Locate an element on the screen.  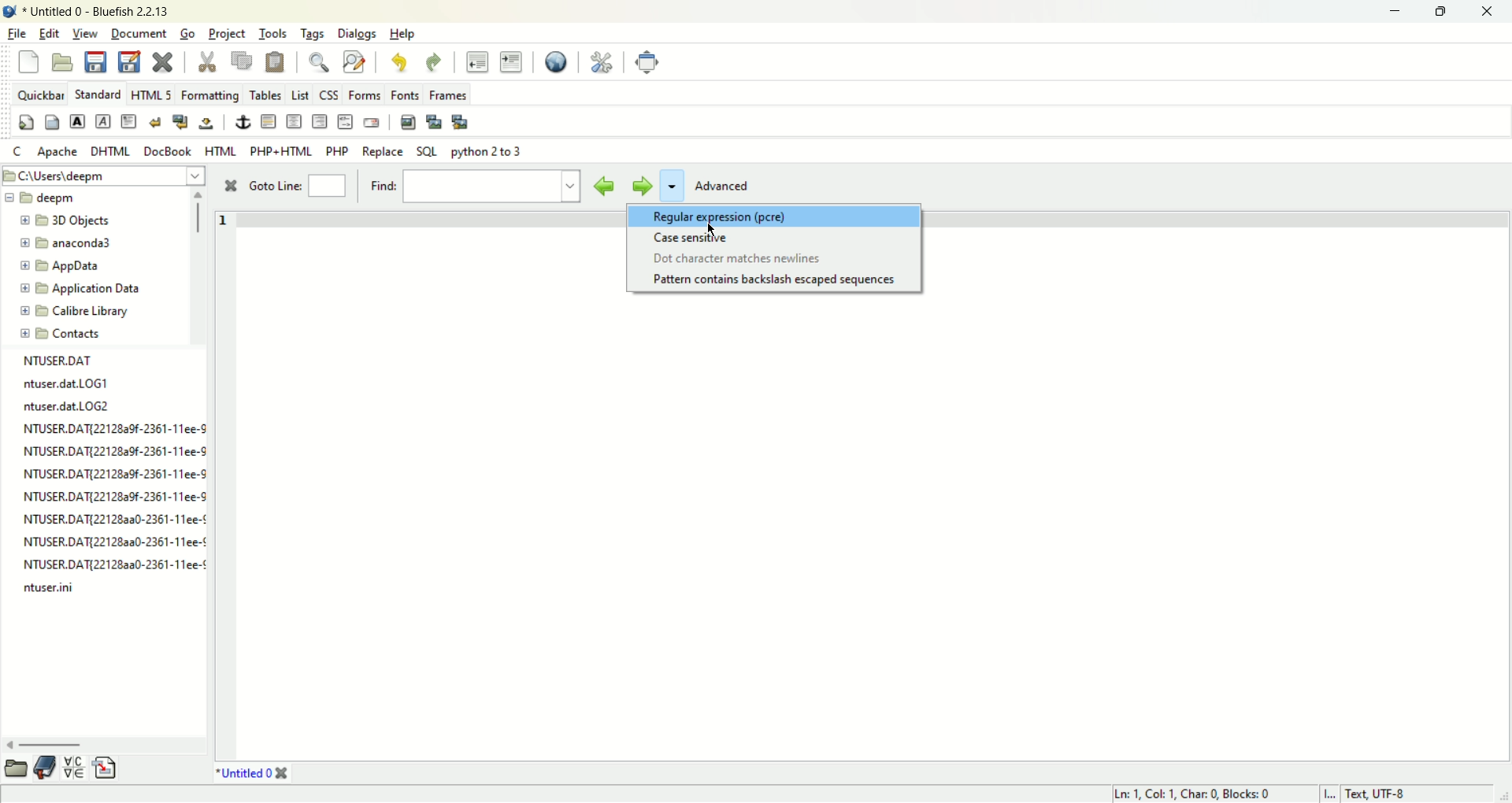
I is located at coordinates (1333, 794).